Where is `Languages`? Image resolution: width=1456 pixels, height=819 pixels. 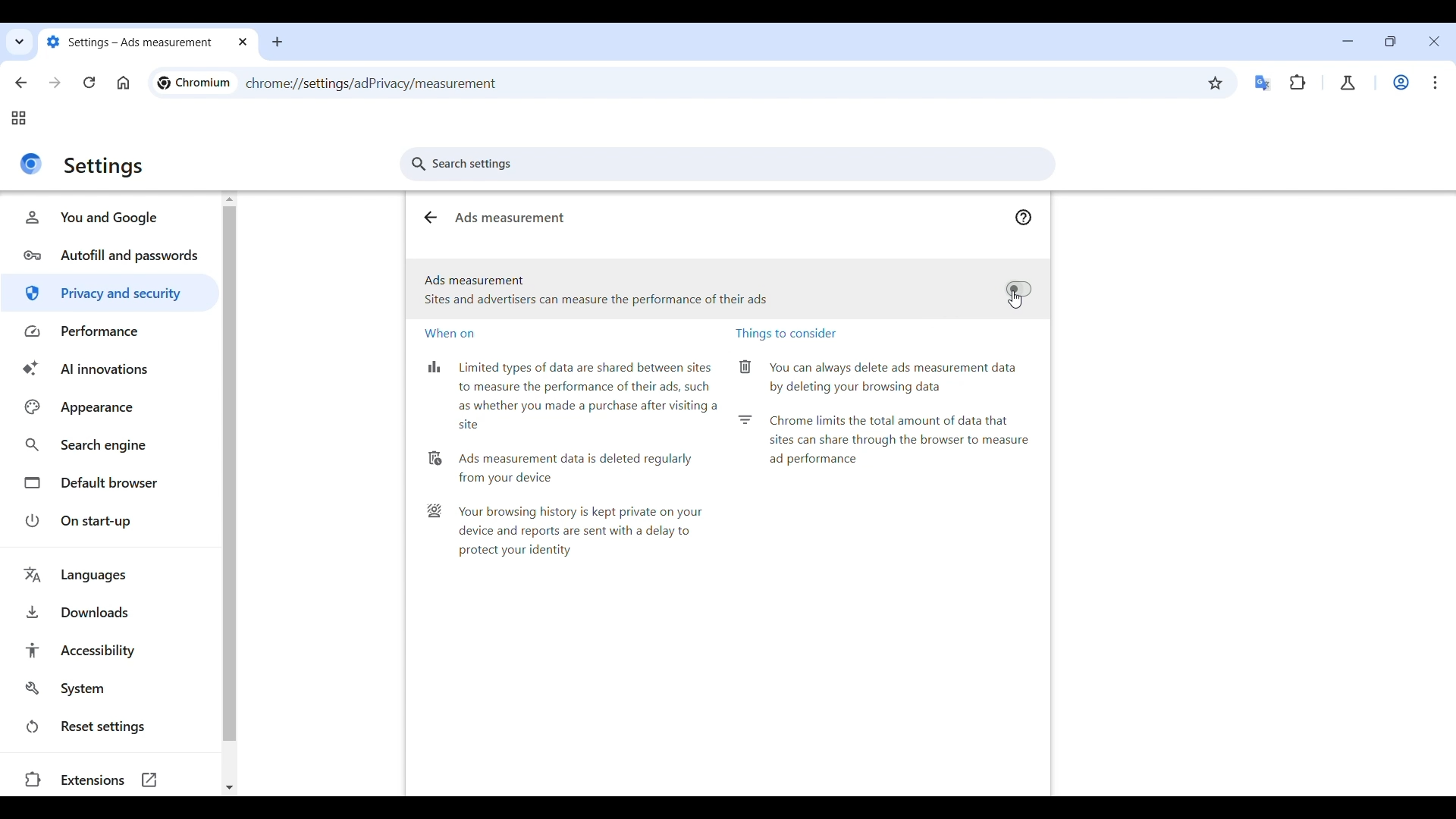 Languages is located at coordinates (114, 575).